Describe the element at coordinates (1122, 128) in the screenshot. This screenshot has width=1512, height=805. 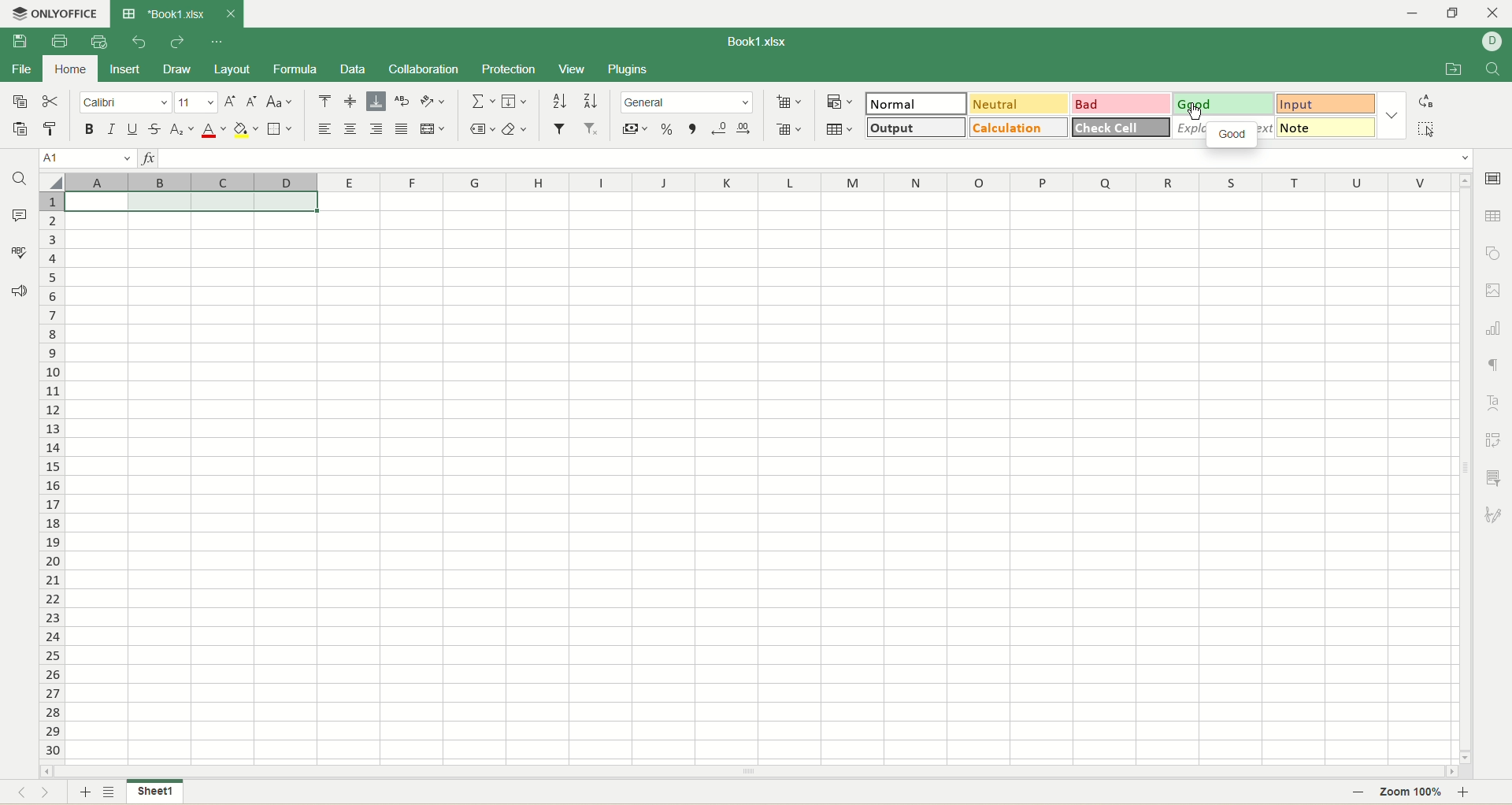
I see `check cell` at that location.